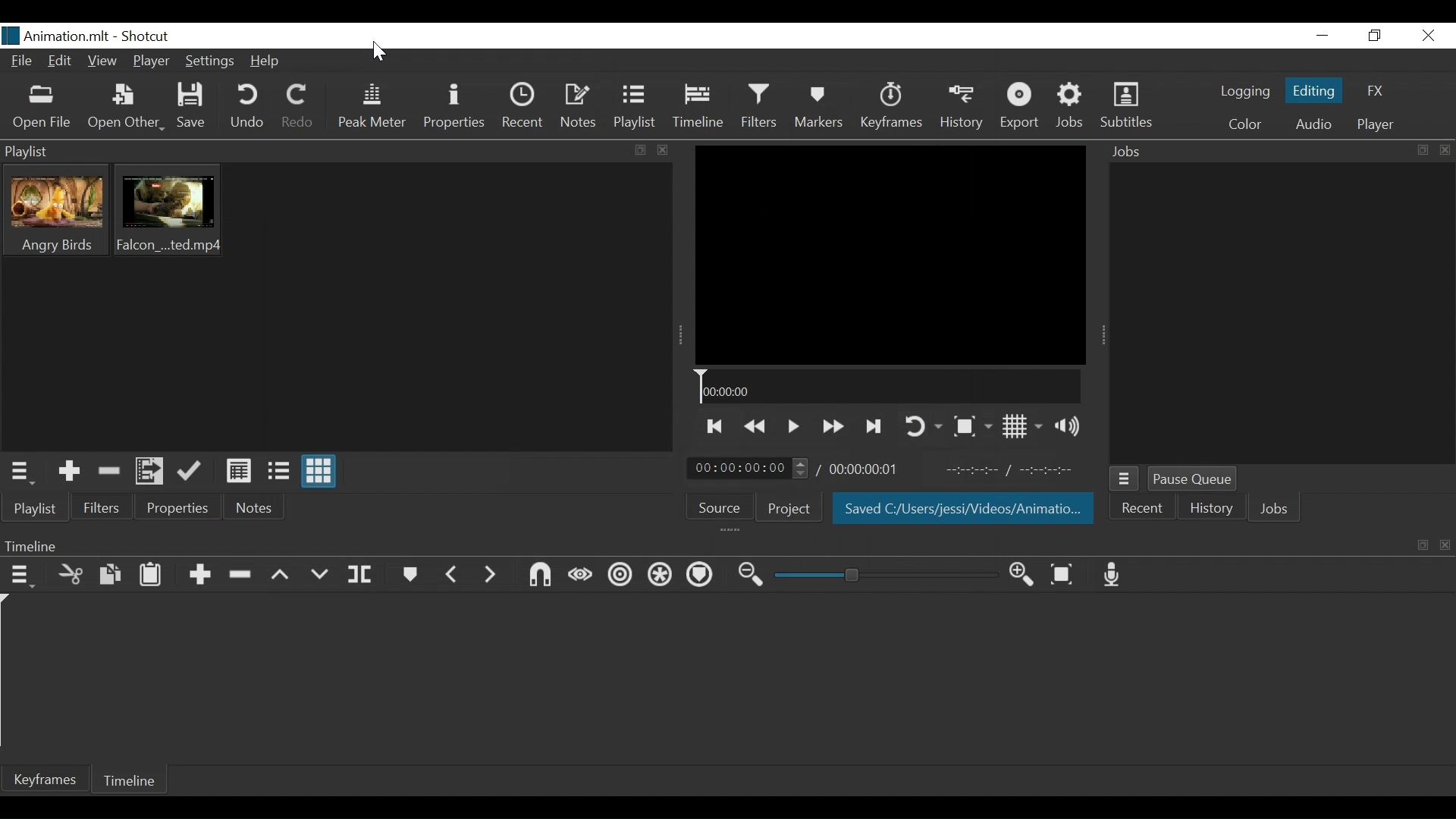 The image size is (1456, 819). Describe the element at coordinates (698, 108) in the screenshot. I see `Timeline` at that location.